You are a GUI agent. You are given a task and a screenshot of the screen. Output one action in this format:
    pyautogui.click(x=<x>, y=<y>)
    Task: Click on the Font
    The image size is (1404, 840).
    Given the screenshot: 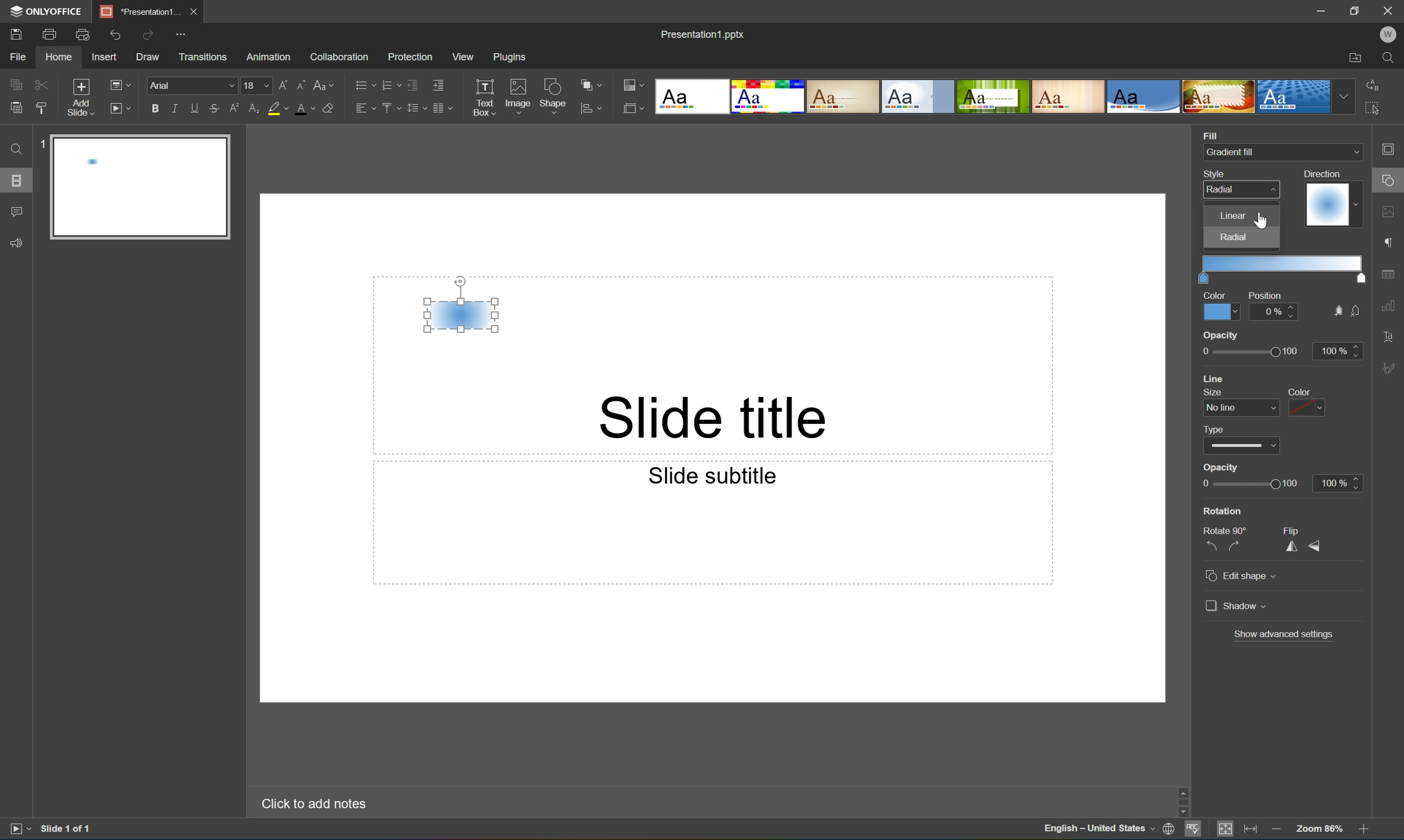 What is the action you would take?
    pyautogui.click(x=194, y=86)
    